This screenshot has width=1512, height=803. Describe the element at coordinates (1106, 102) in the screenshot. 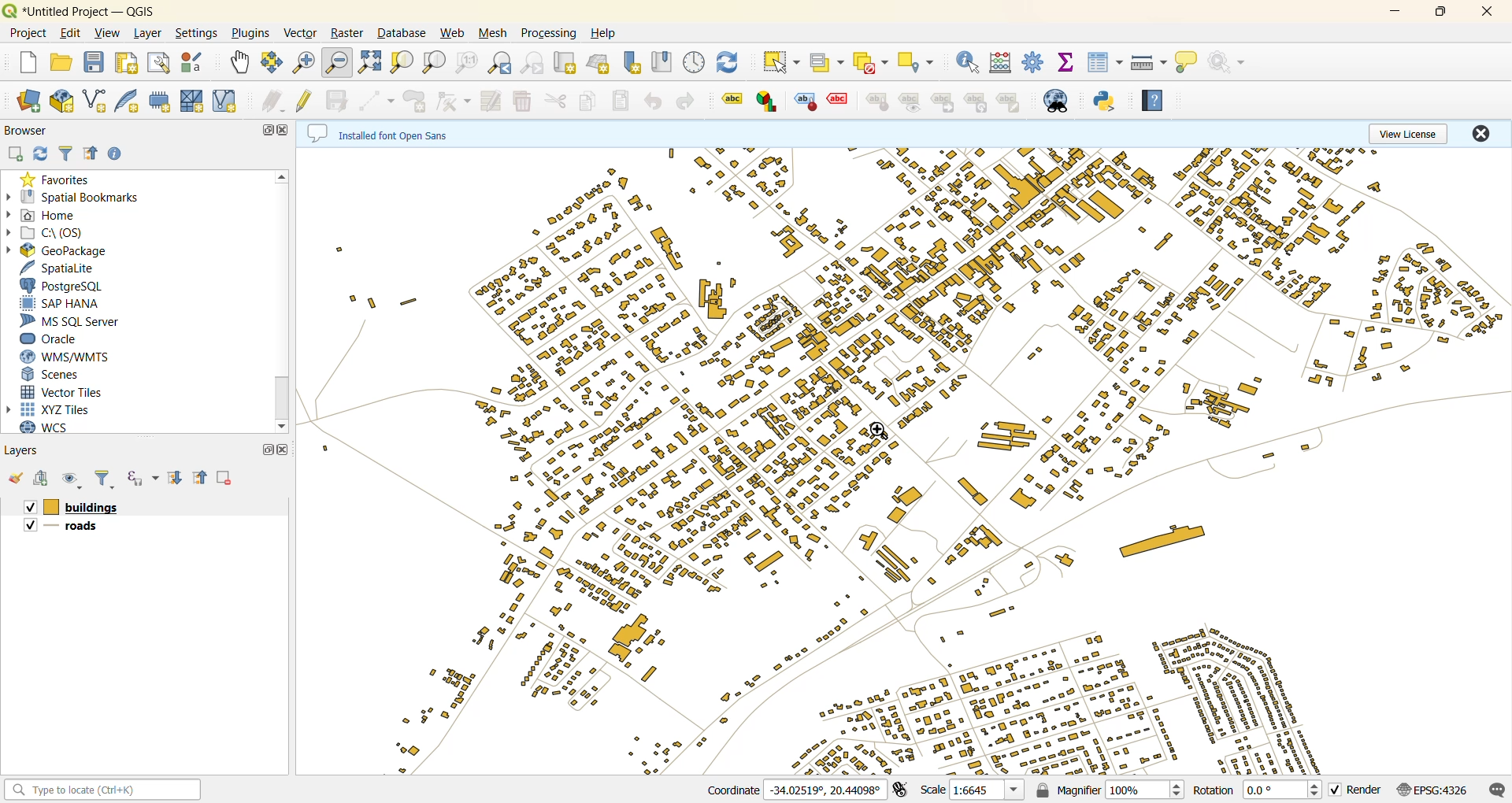

I see `python` at that location.